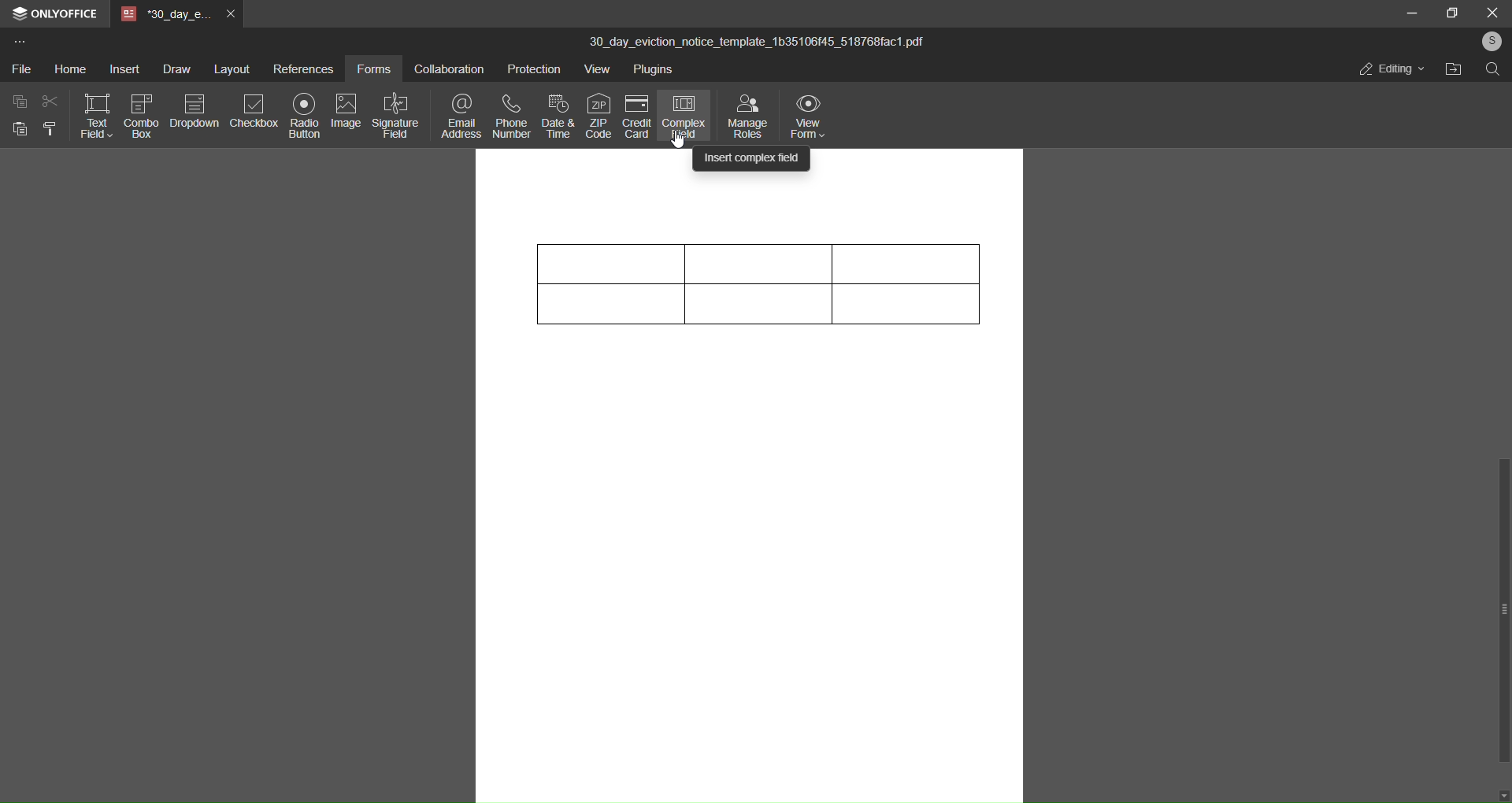  What do you see at coordinates (682, 116) in the screenshot?
I see `complex field` at bounding box center [682, 116].